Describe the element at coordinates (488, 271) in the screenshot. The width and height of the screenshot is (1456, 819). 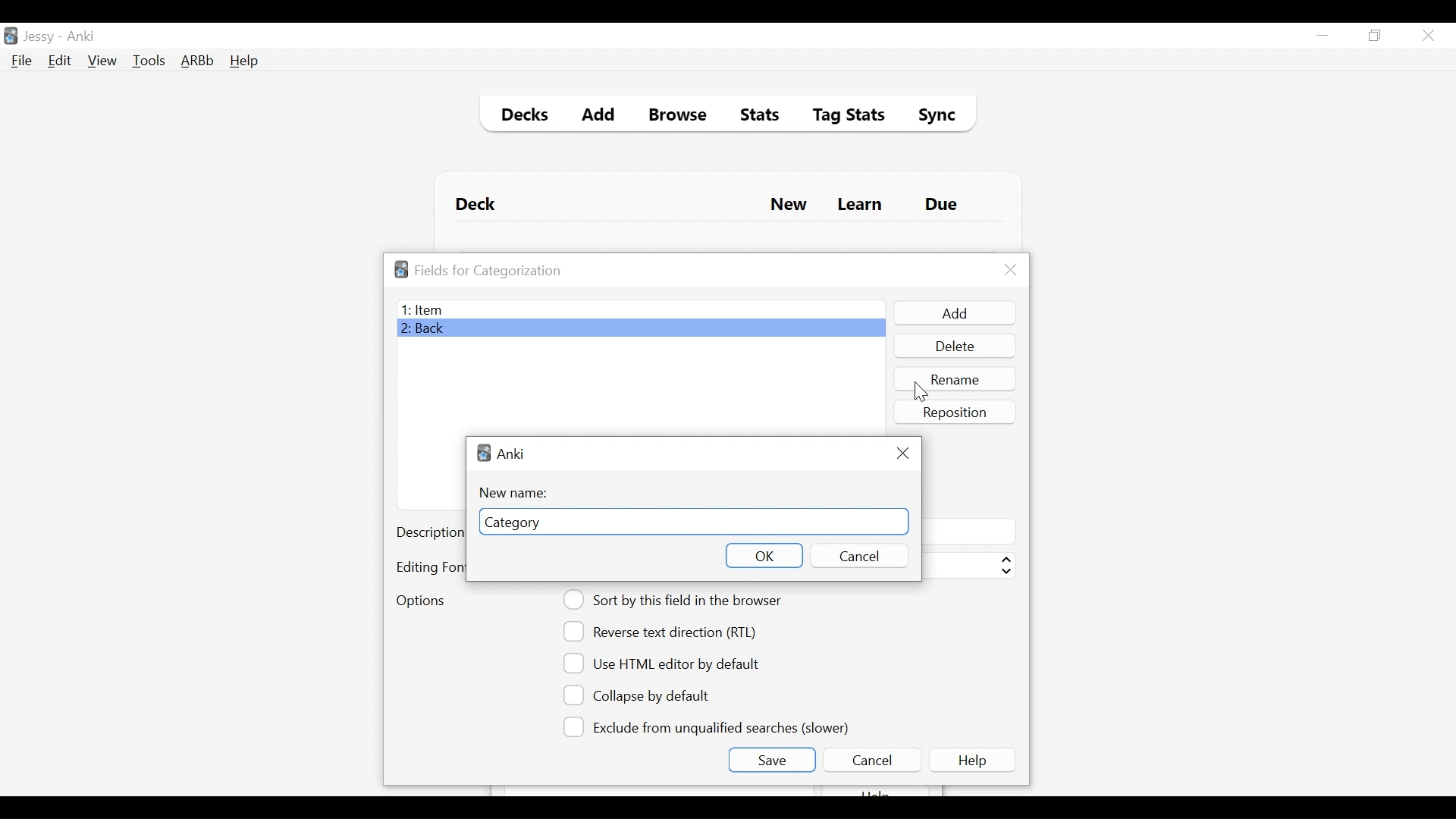
I see `Field for Categorization` at that location.